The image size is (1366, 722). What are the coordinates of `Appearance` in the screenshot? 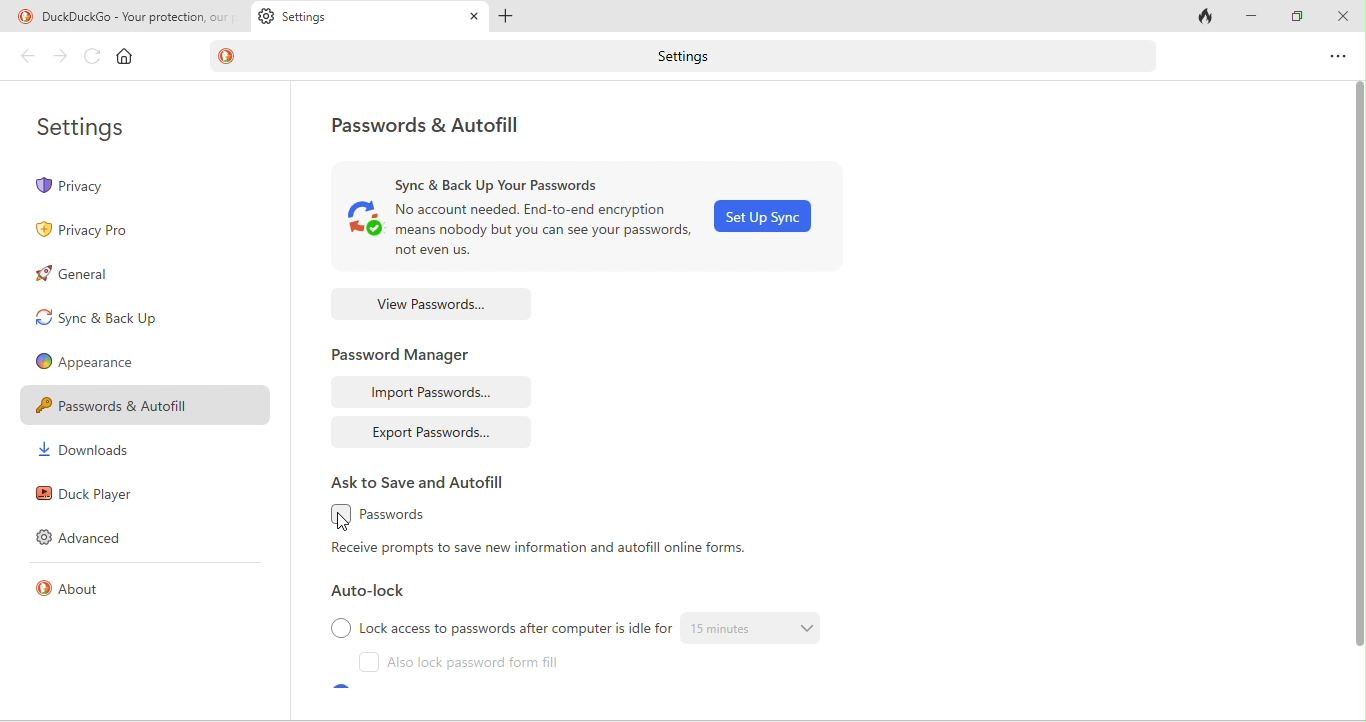 It's located at (107, 365).